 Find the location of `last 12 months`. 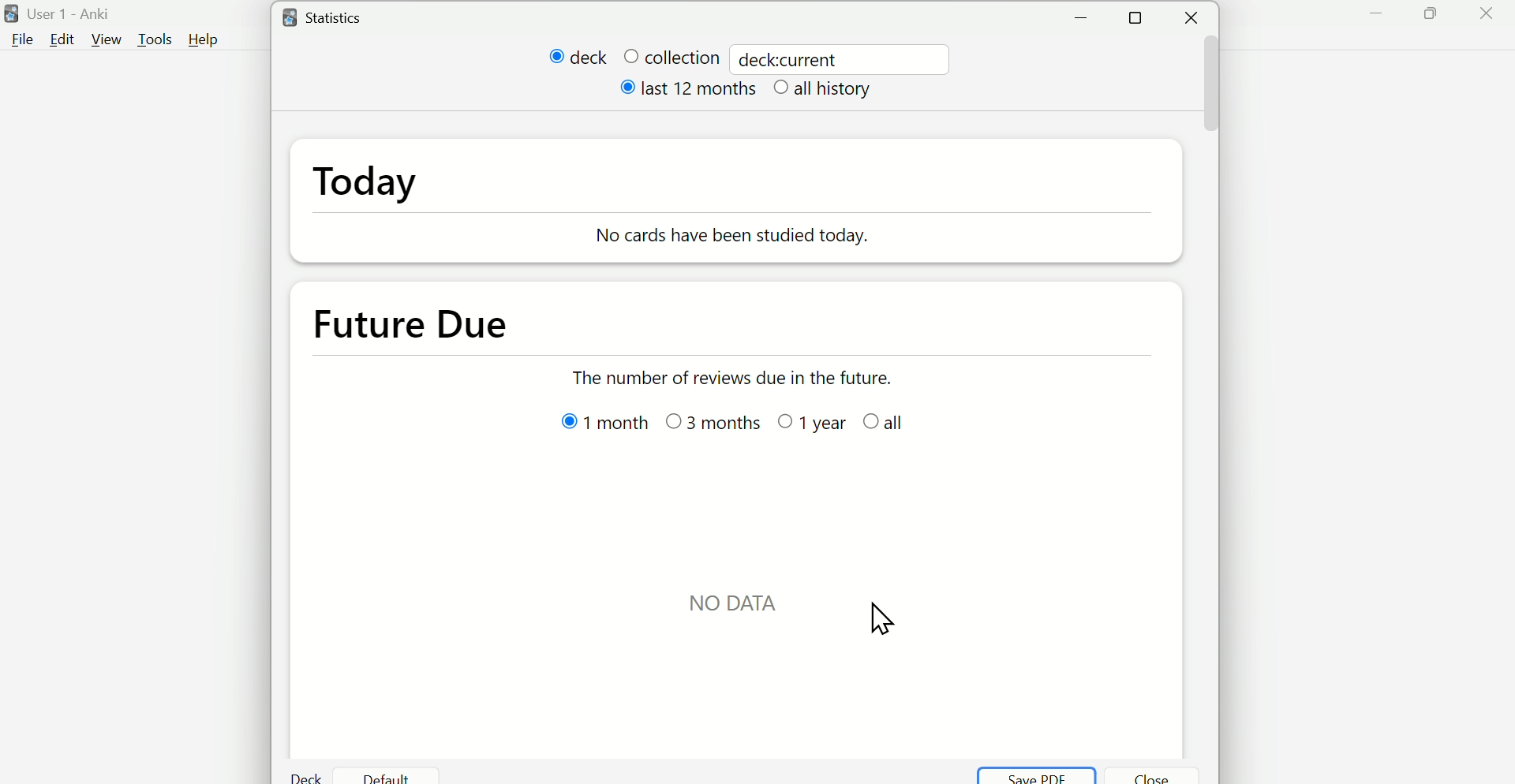

last 12 months is located at coordinates (683, 91).